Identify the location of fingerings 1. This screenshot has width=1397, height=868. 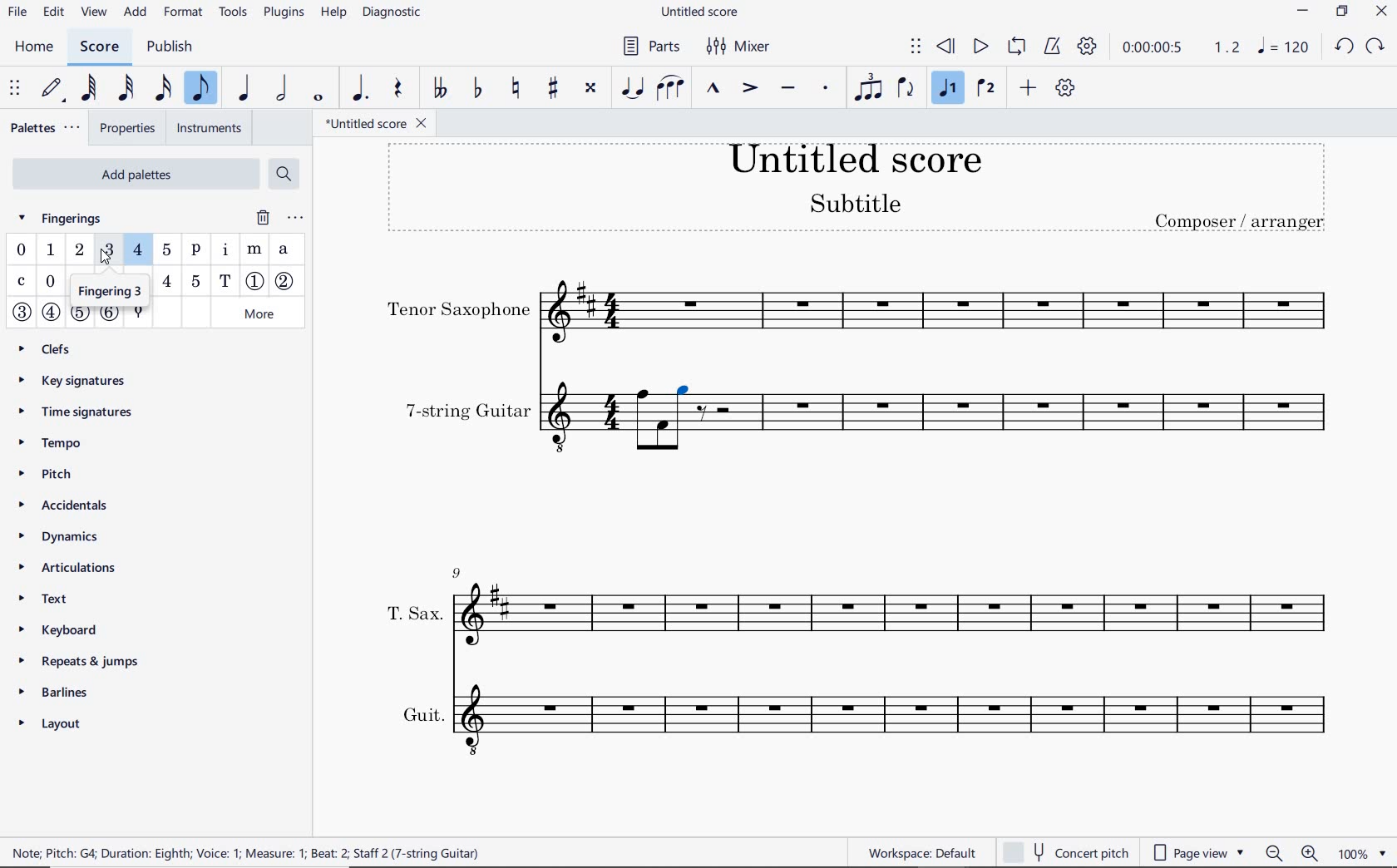
(49, 250).